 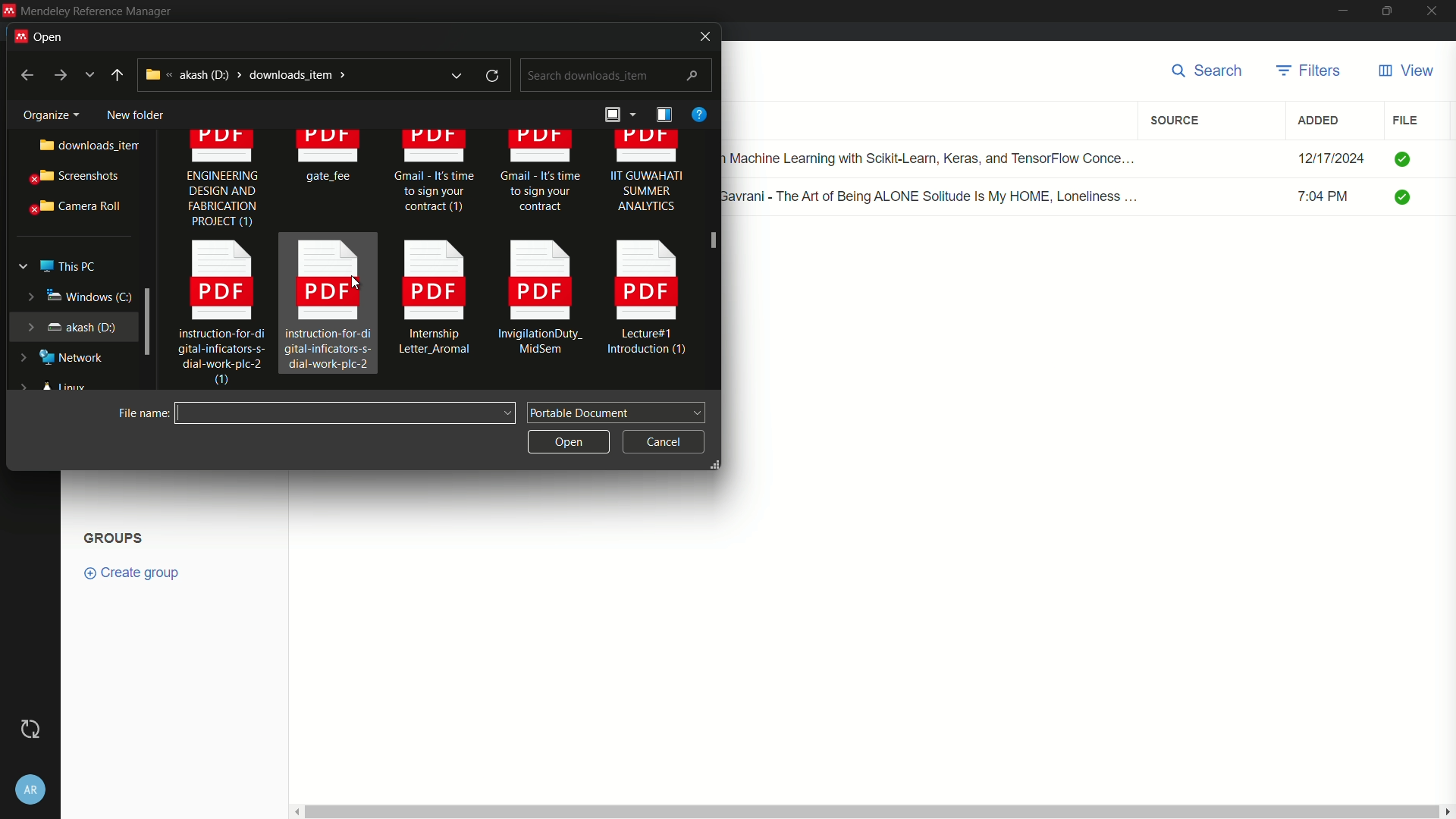 What do you see at coordinates (222, 183) in the screenshot?
I see `ENGINEERING
DESIGN AND

FABRICATION
PROJECT (1)` at bounding box center [222, 183].